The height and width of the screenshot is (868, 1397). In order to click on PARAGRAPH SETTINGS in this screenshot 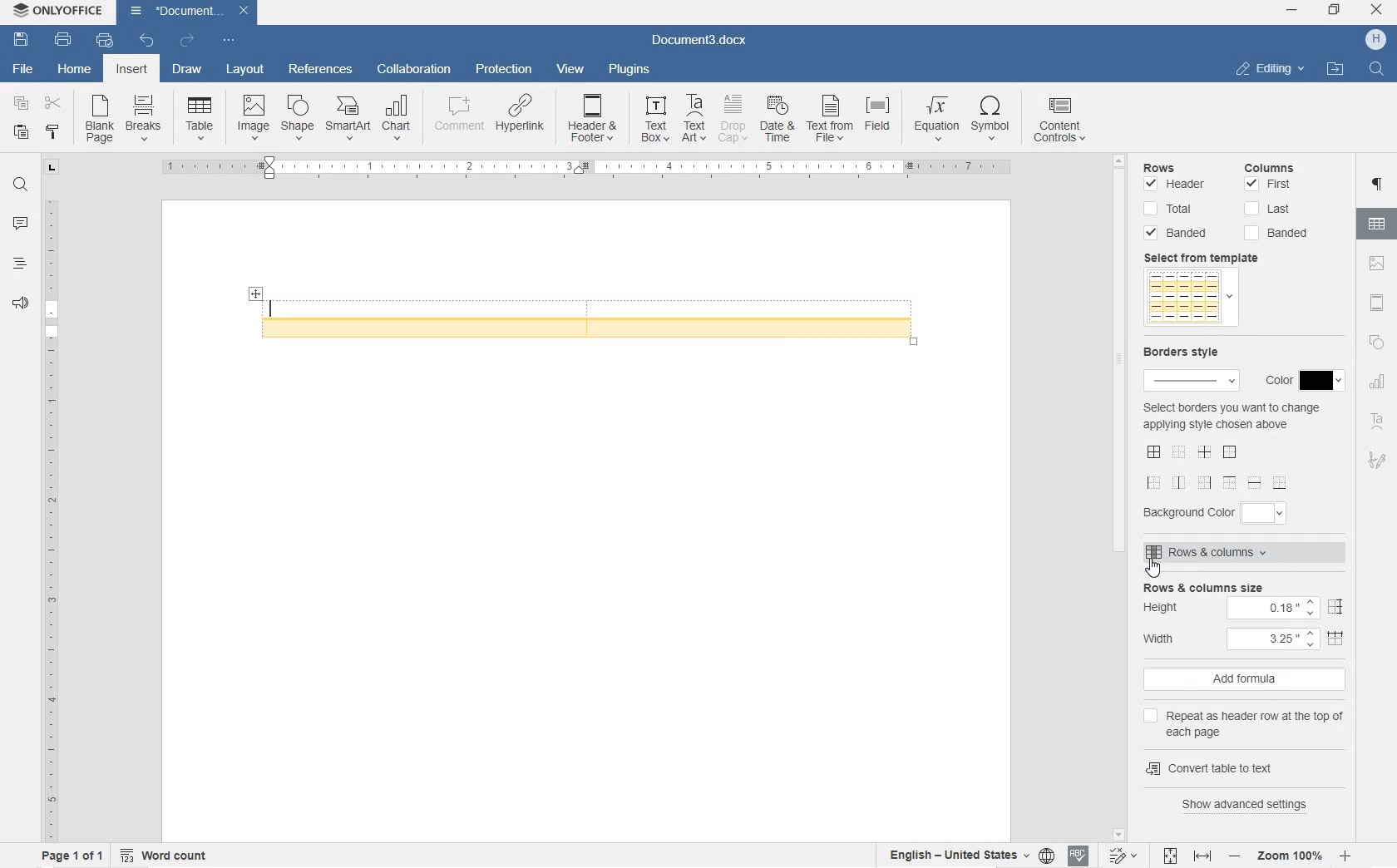, I will do `click(1380, 186)`.